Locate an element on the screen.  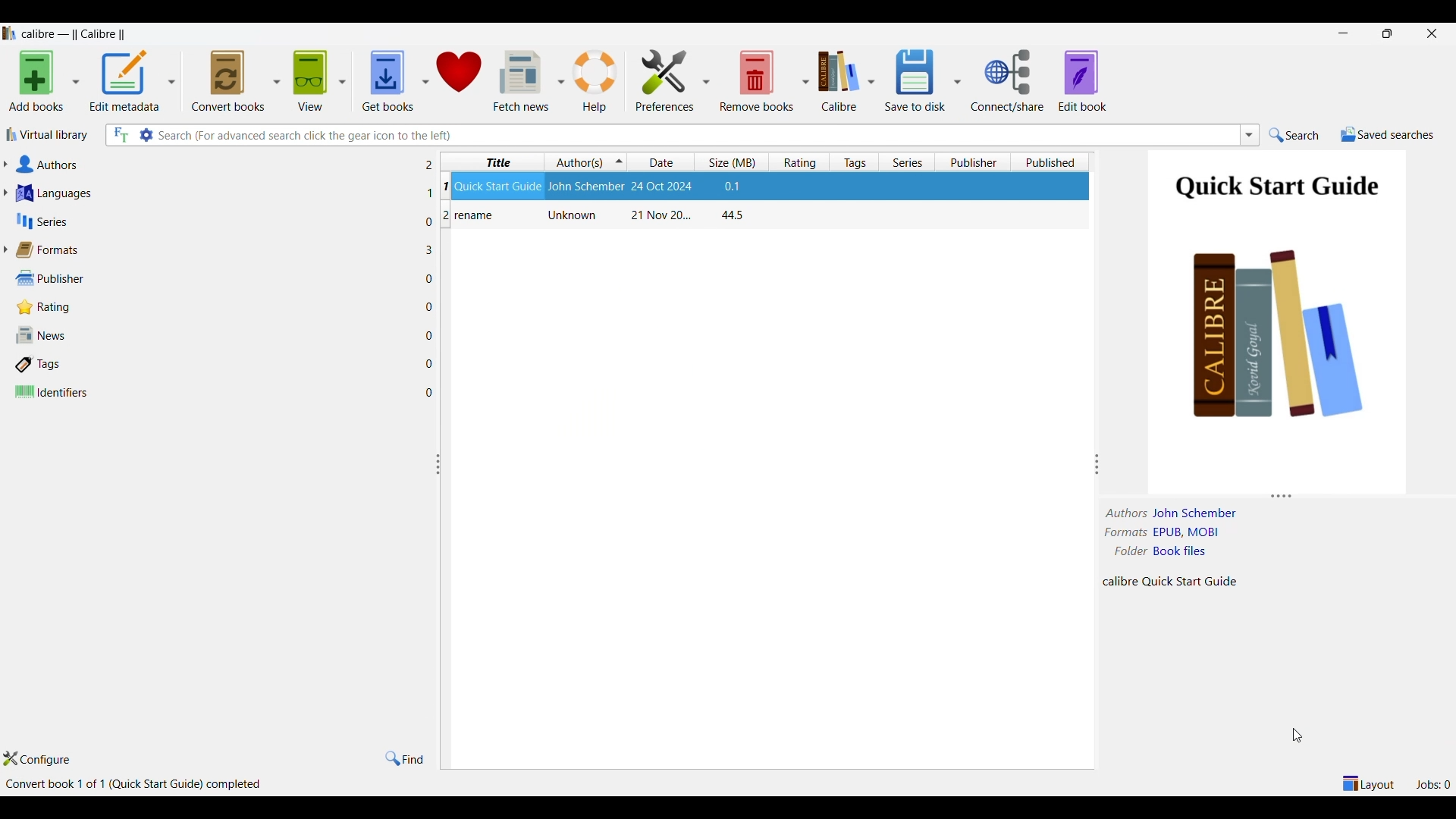
Authors is located at coordinates (215, 165).